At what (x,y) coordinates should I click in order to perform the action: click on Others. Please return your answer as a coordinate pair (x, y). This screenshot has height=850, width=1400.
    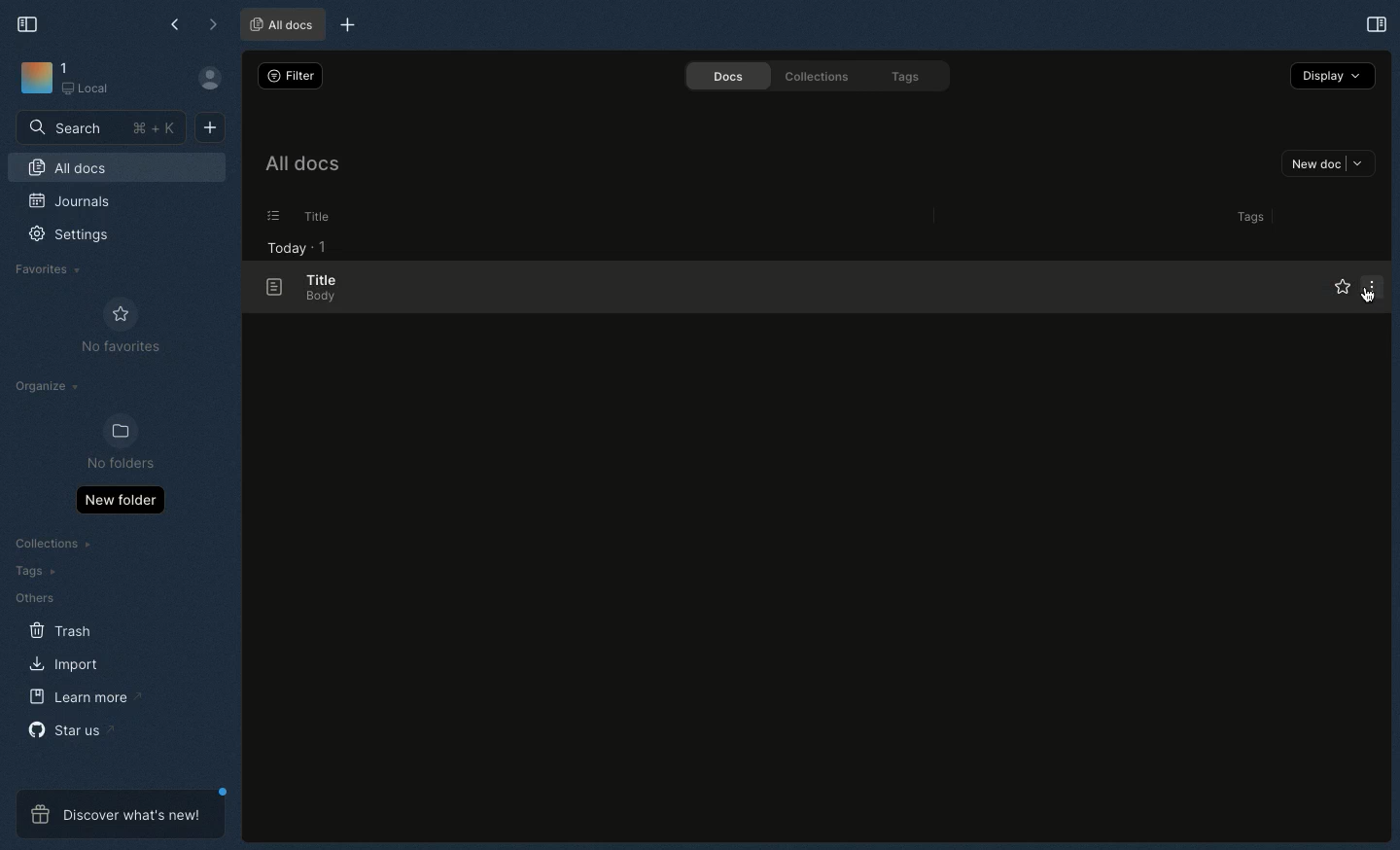
    Looking at the image, I should click on (34, 598).